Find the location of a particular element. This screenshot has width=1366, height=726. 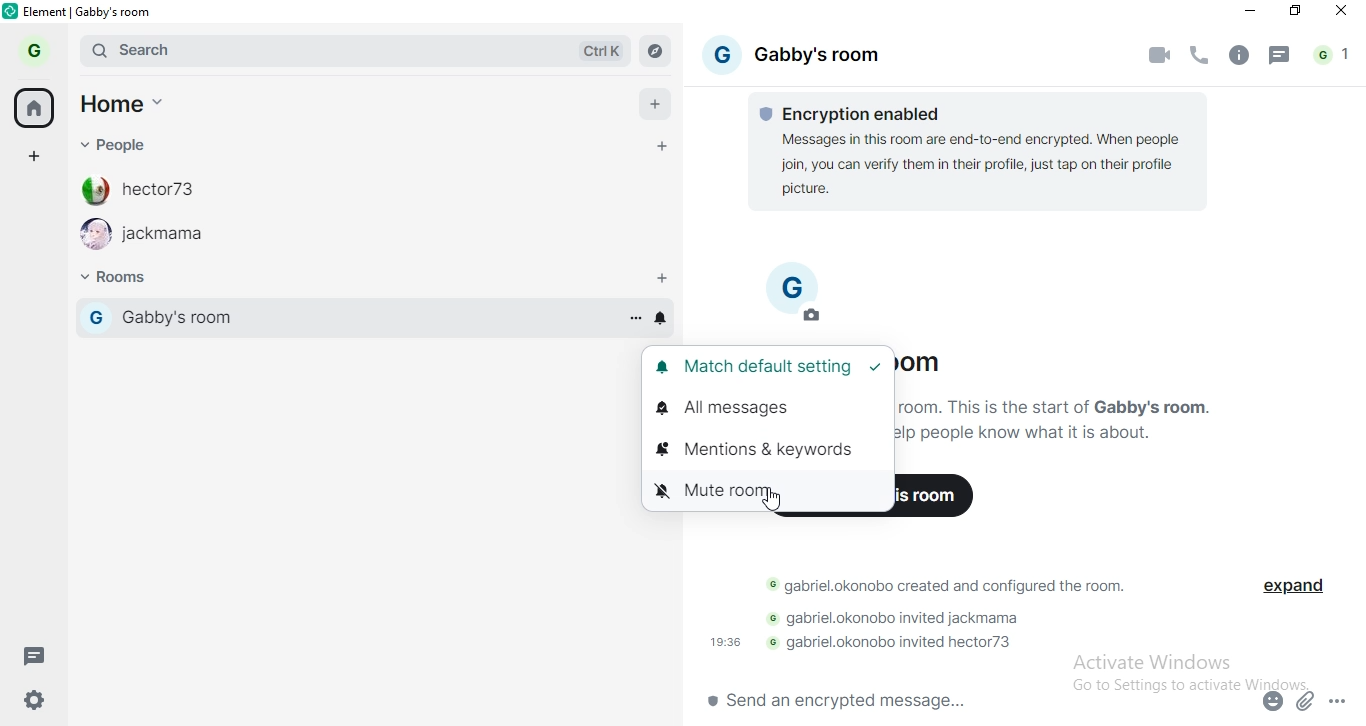

cursor is located at coordinates (773, 499).